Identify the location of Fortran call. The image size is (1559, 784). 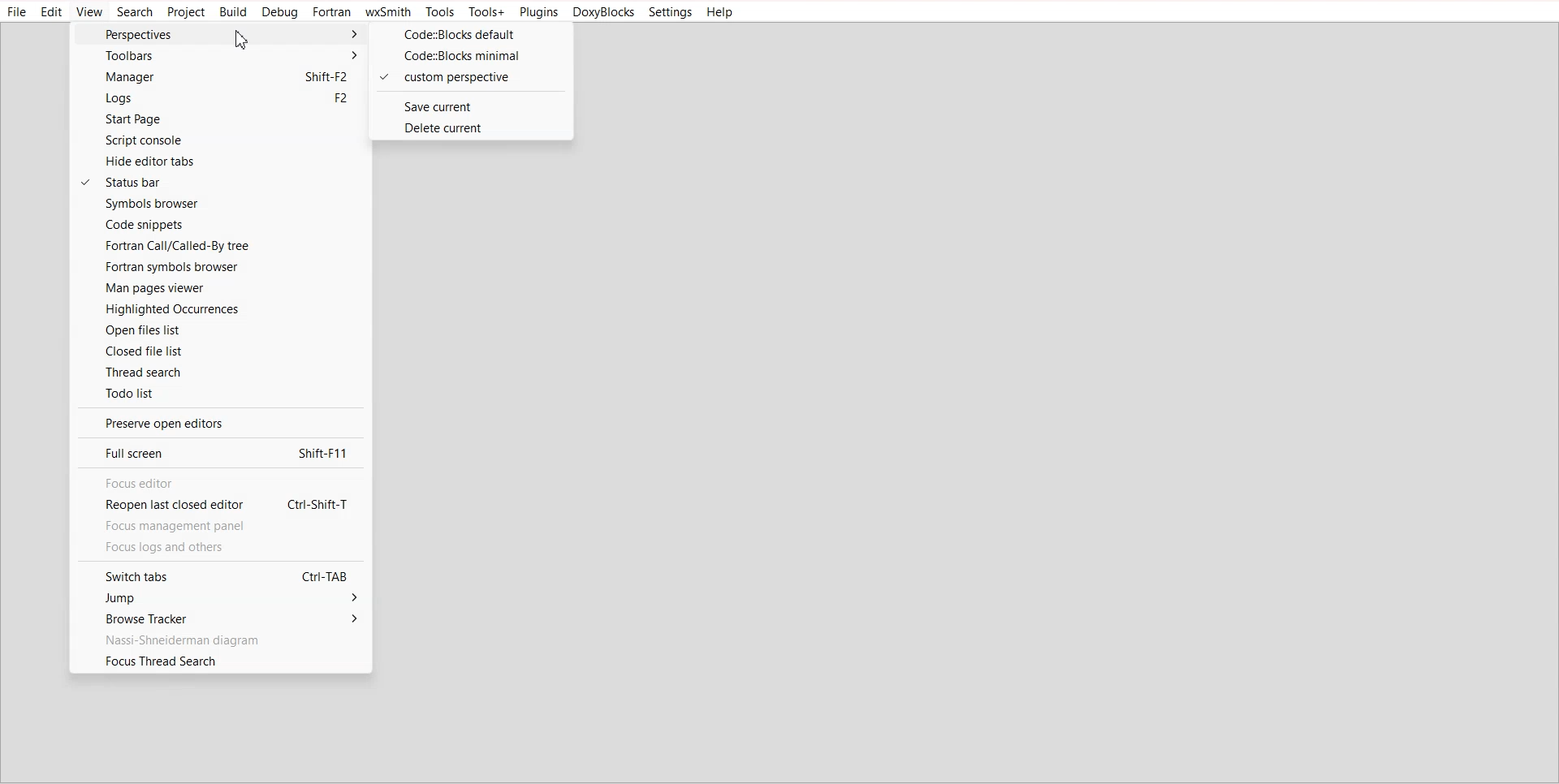
(219, 245).